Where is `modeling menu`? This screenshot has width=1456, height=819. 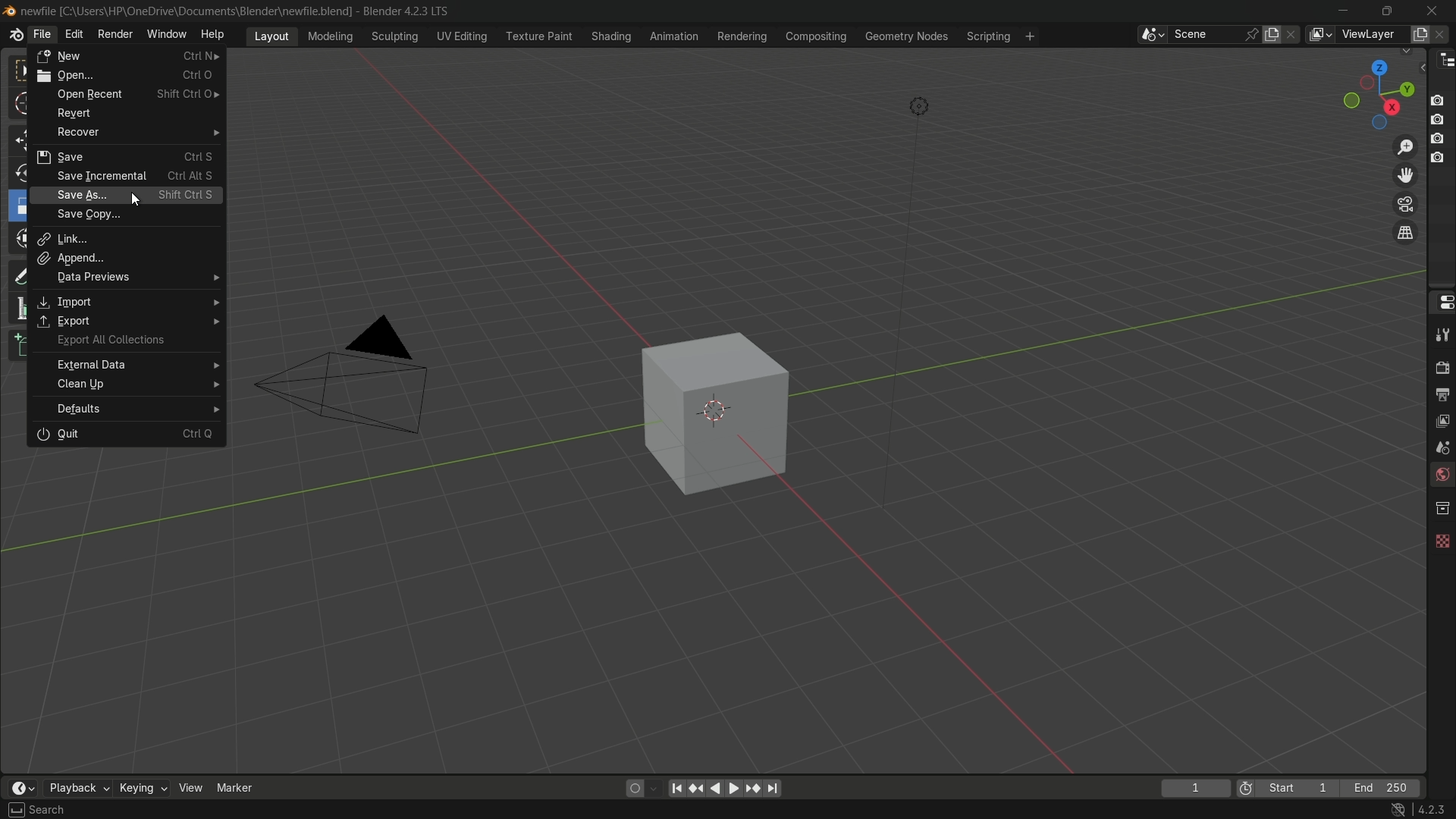 modeling menu is located at coordinates (331, 35).